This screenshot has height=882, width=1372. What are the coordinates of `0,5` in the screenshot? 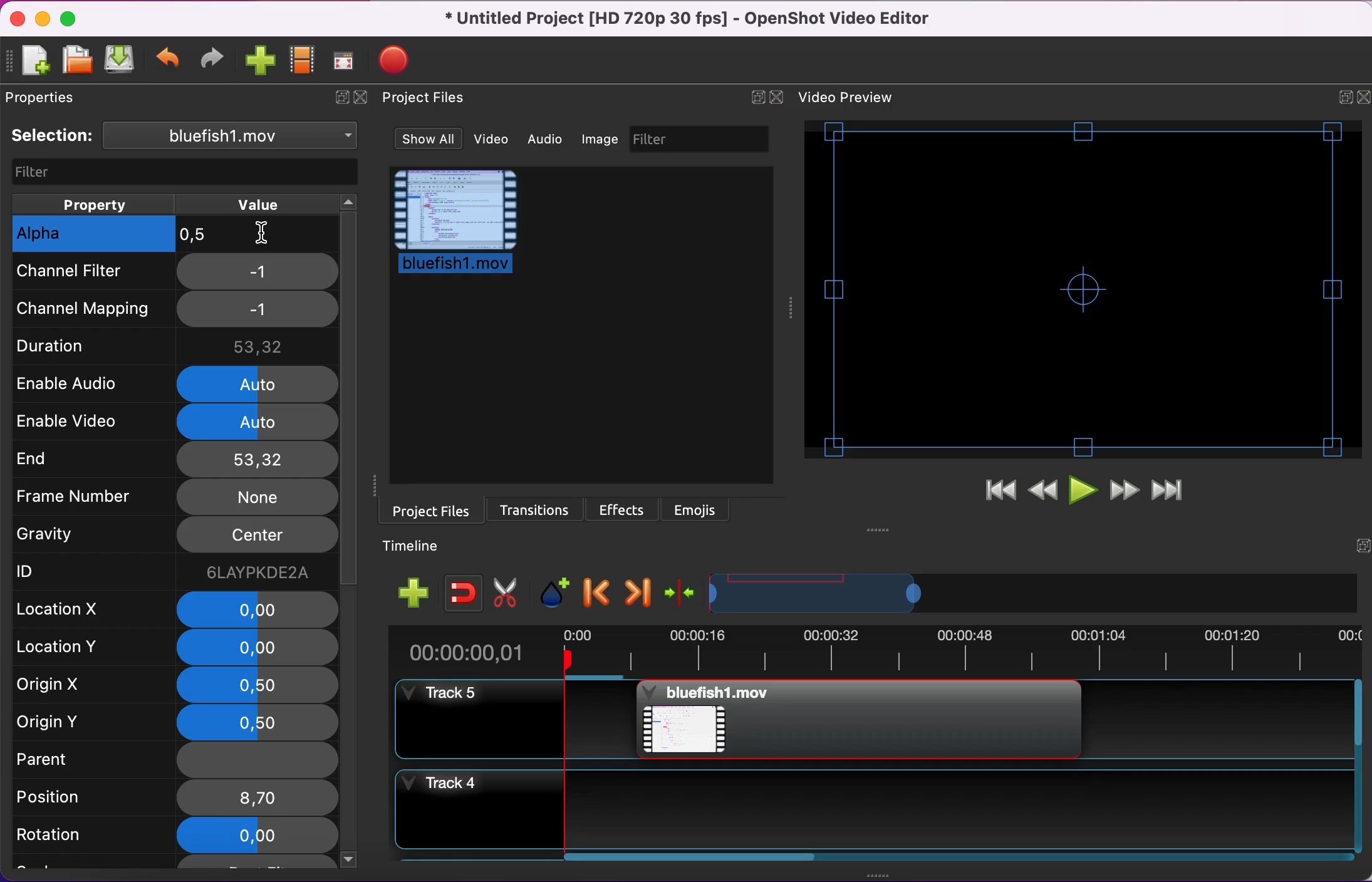 It's located at (252, 685).